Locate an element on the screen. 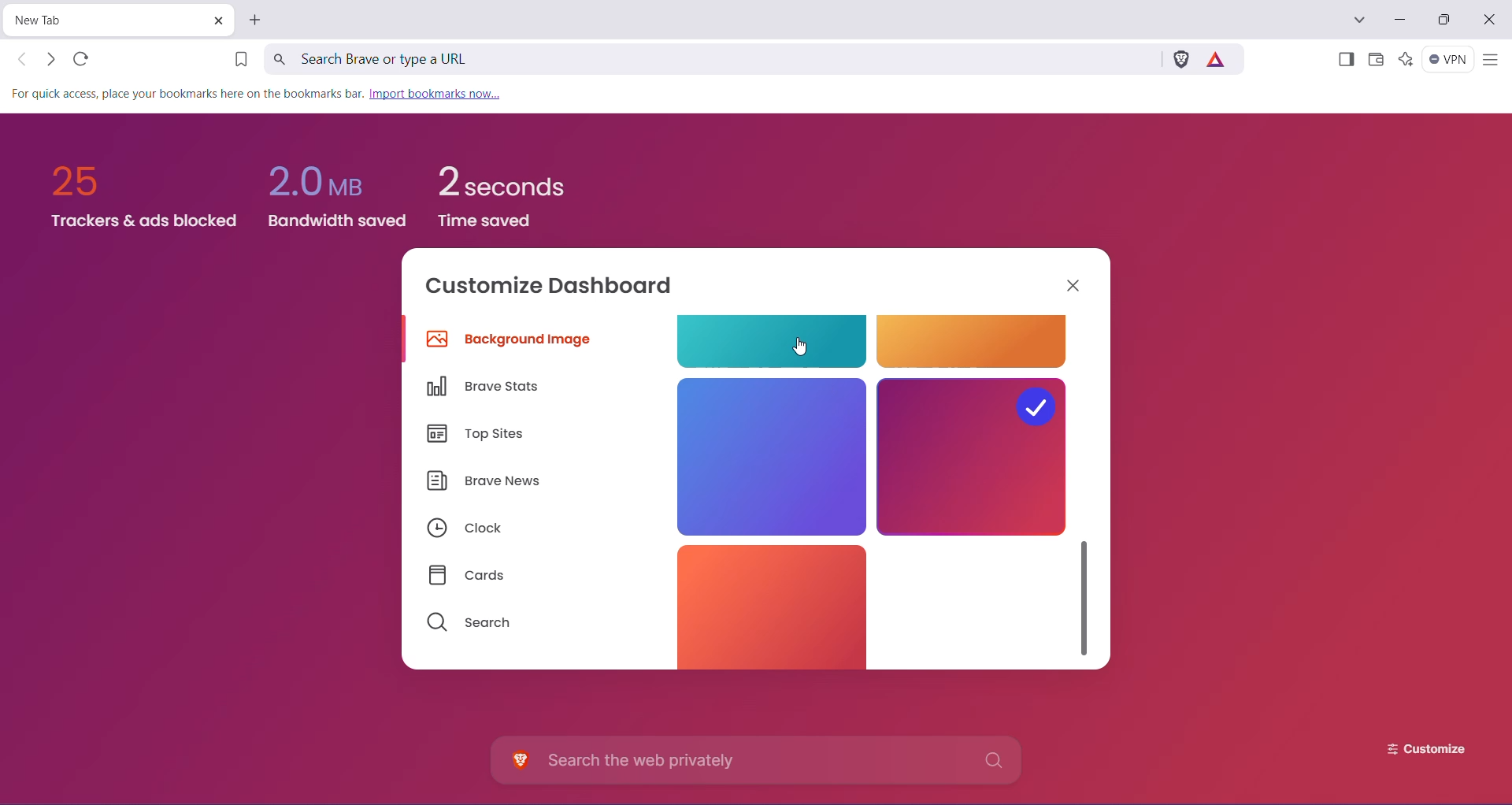  Earn tokens for private Ads you see in Brave is located at coordinates (1219, 58).